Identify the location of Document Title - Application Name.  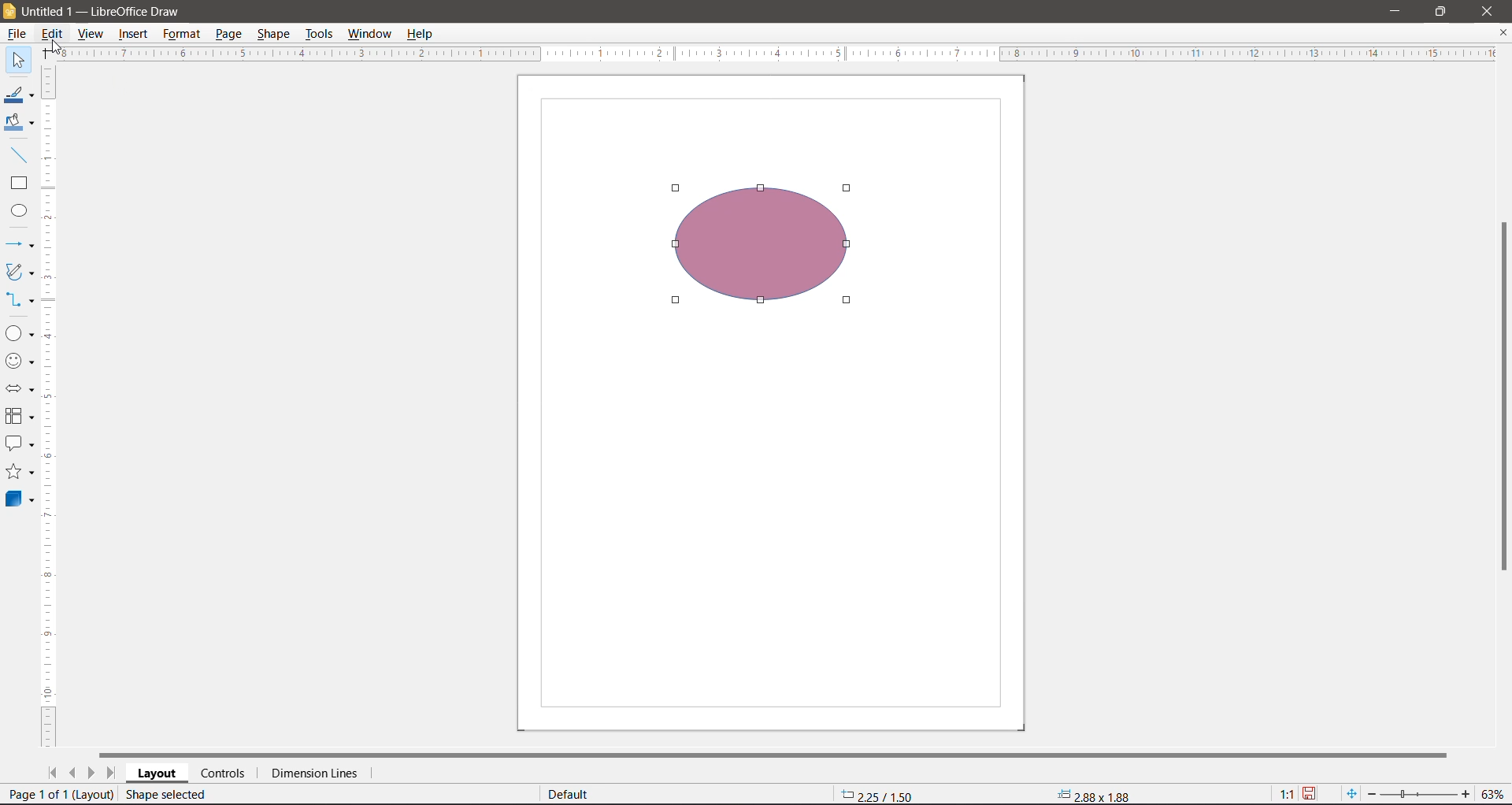
(119, 10).